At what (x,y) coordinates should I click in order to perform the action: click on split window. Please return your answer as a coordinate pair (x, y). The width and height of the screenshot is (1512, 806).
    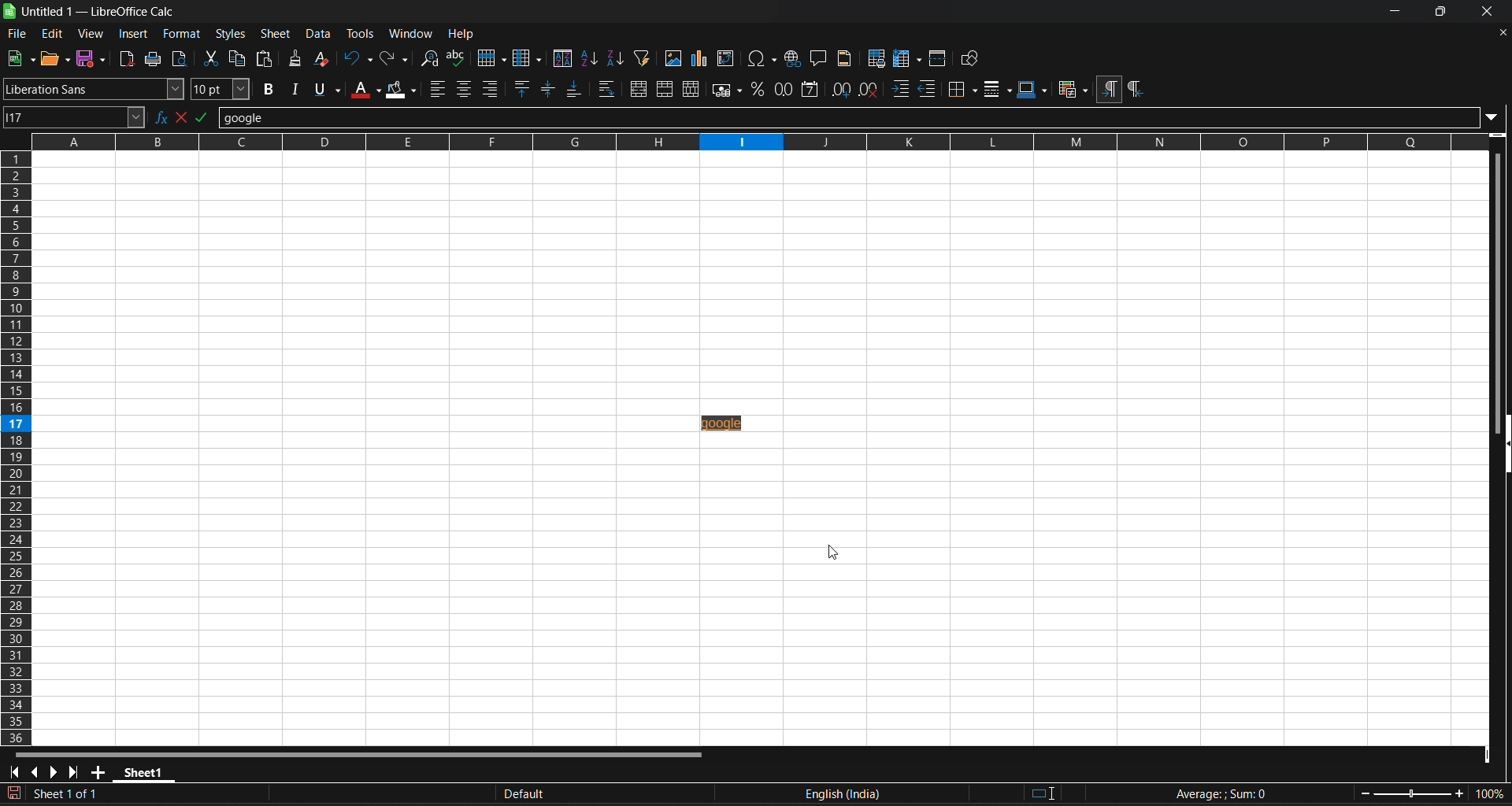
    Looking at the image, I should click on (939, 57).